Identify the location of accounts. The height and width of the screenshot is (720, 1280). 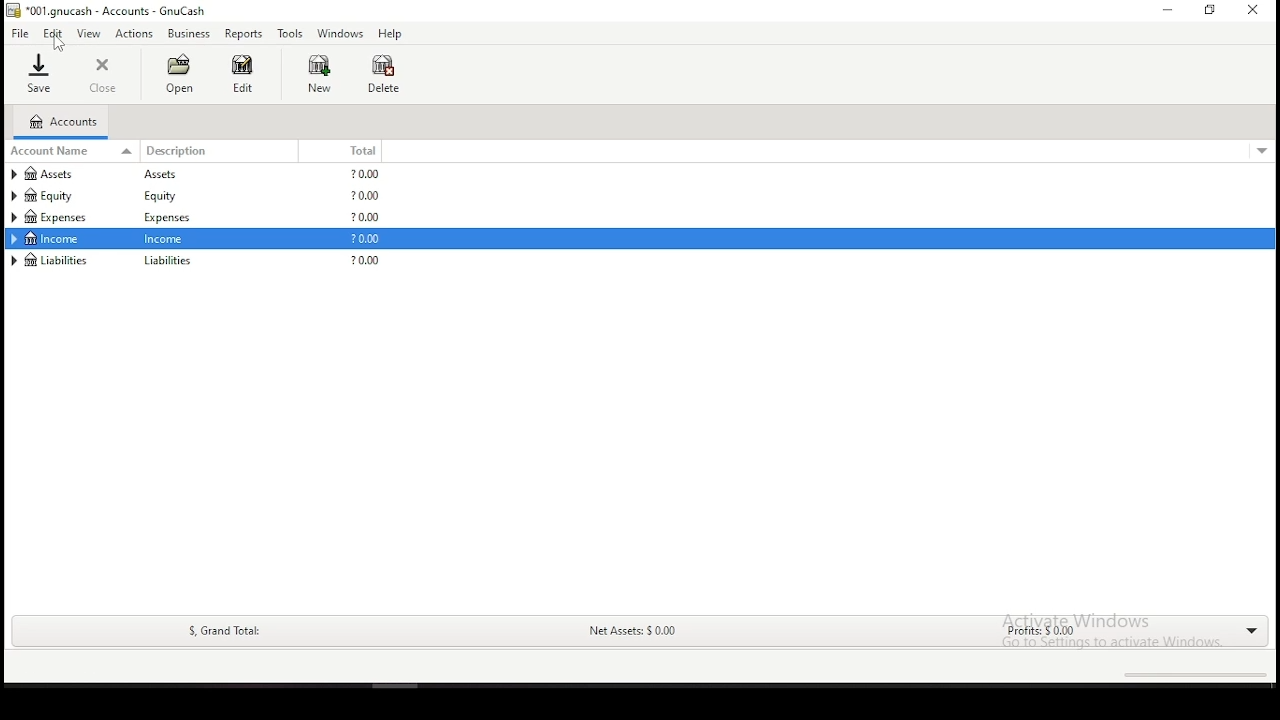
(62, 122).